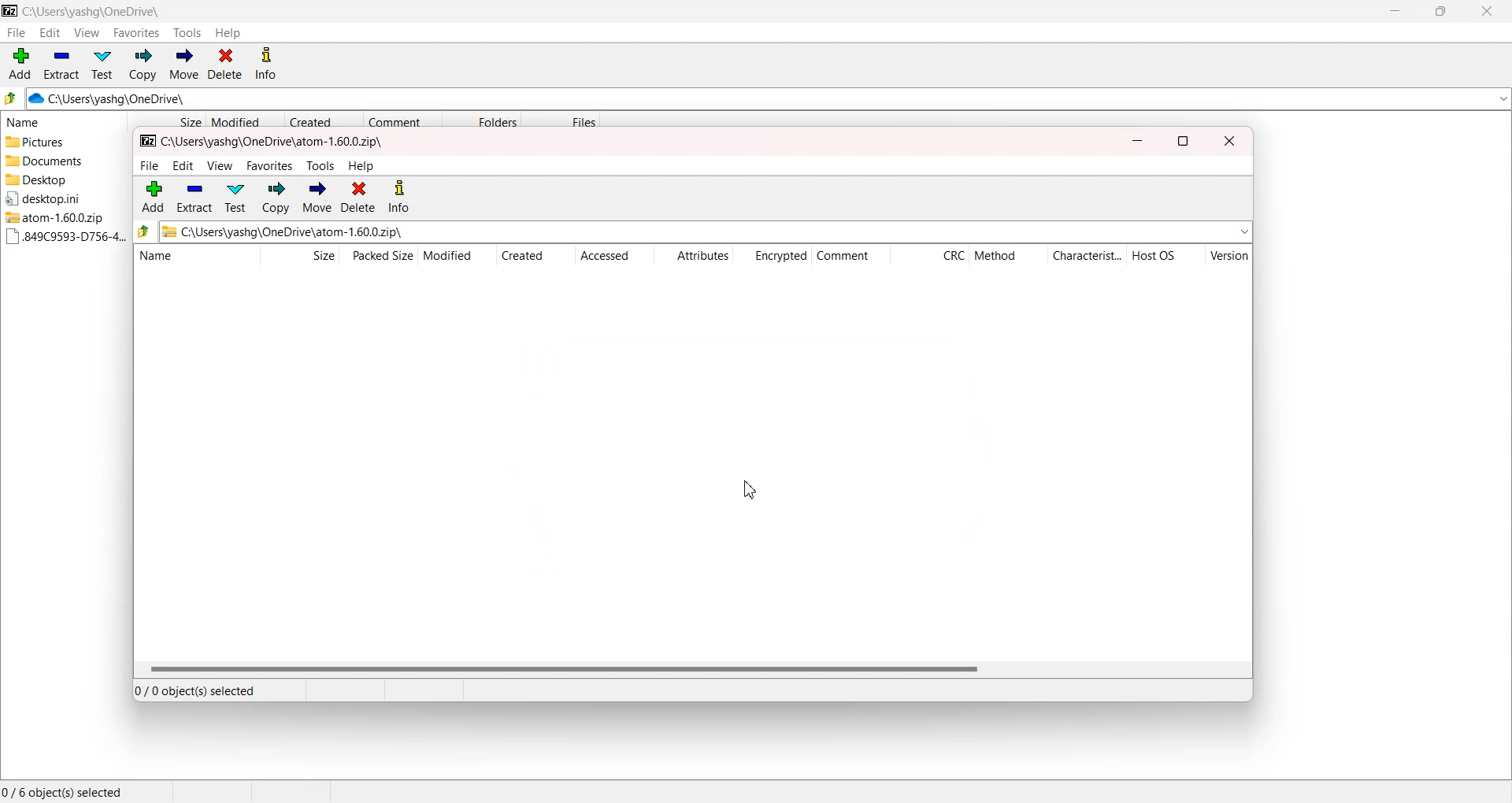  Describe the element at coordinates (1087, 257) in the screenshot. I see `Characteristics` at that location.